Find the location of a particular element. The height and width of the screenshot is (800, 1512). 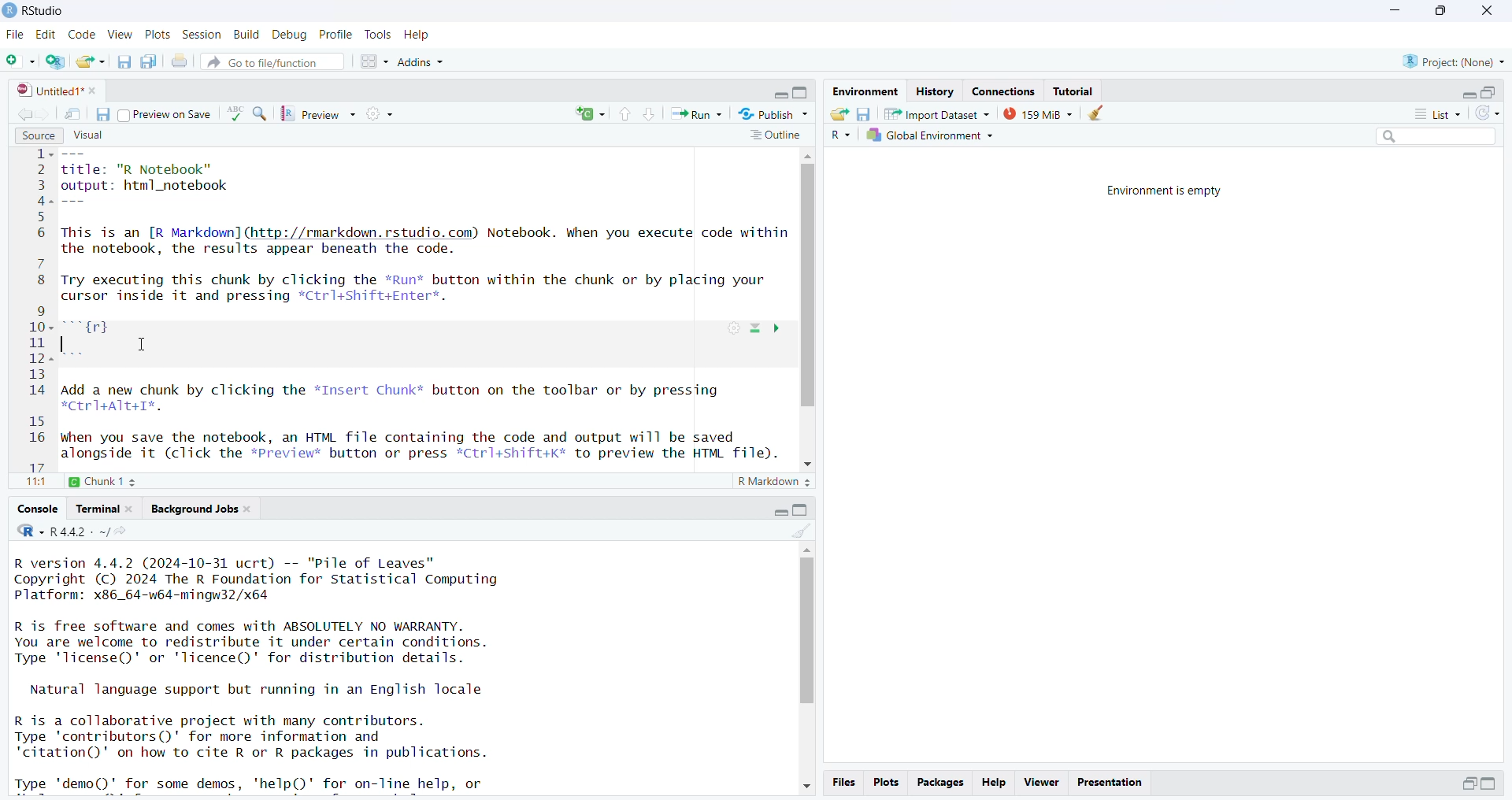

expand is located at coordinates (1492, 784).